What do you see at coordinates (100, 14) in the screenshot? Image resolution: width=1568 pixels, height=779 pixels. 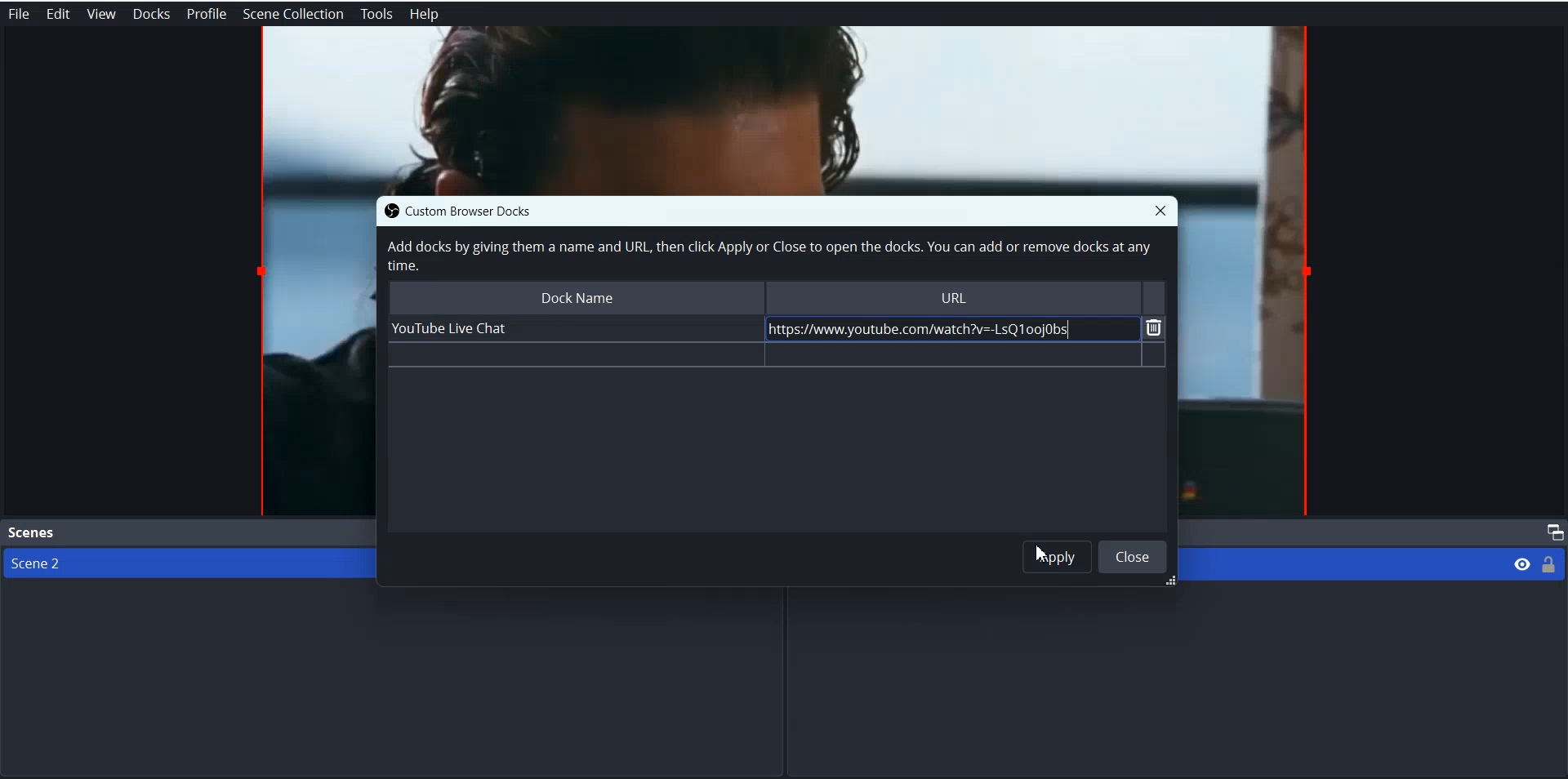 I see `View` at bounding box center [100, 14].